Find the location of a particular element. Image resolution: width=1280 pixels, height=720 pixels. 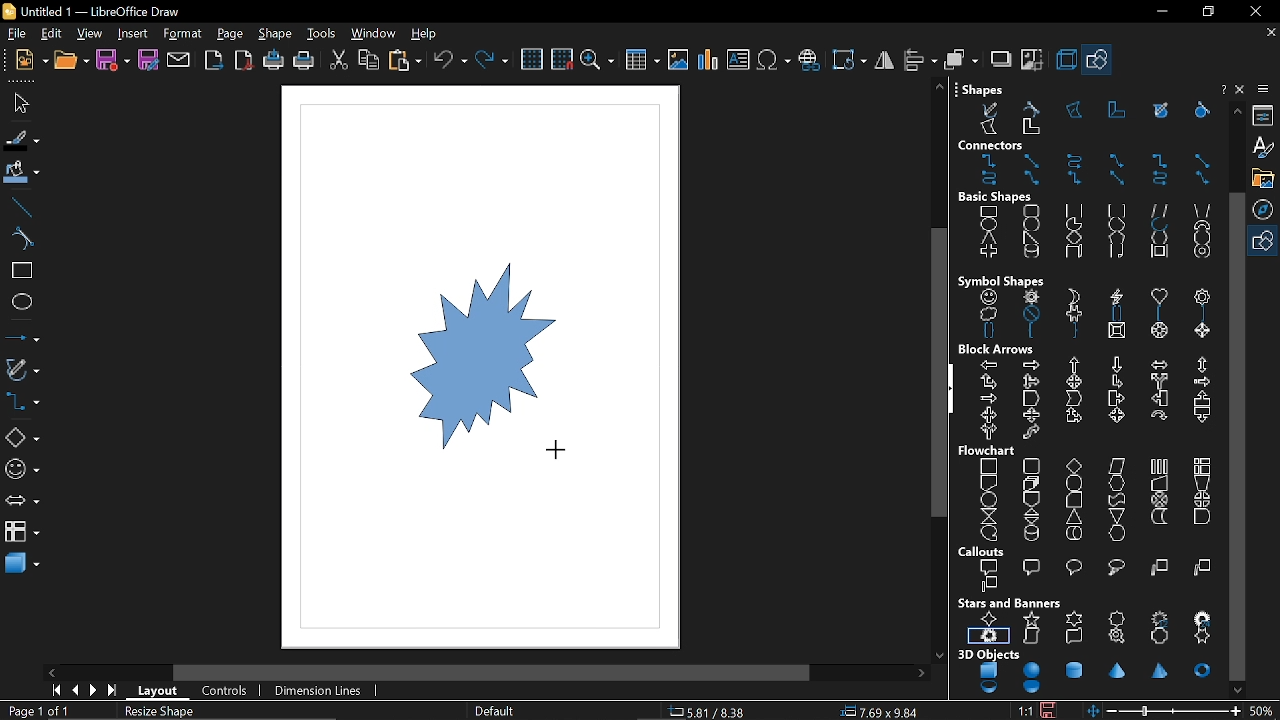

Layout is located at coordinates (161, 691).